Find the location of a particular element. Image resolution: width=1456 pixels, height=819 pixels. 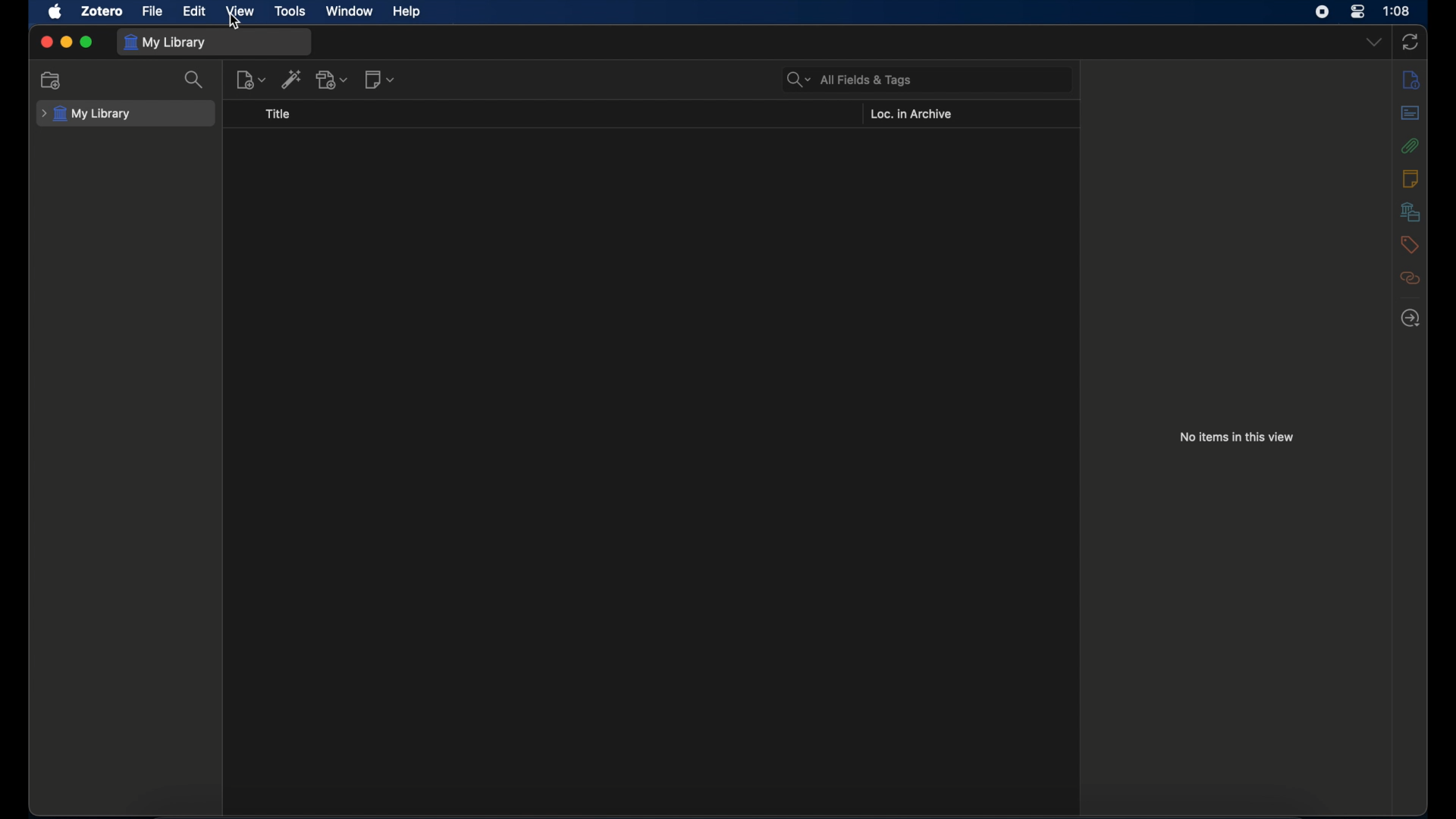

libraries is located at coordinates (1410, 212).